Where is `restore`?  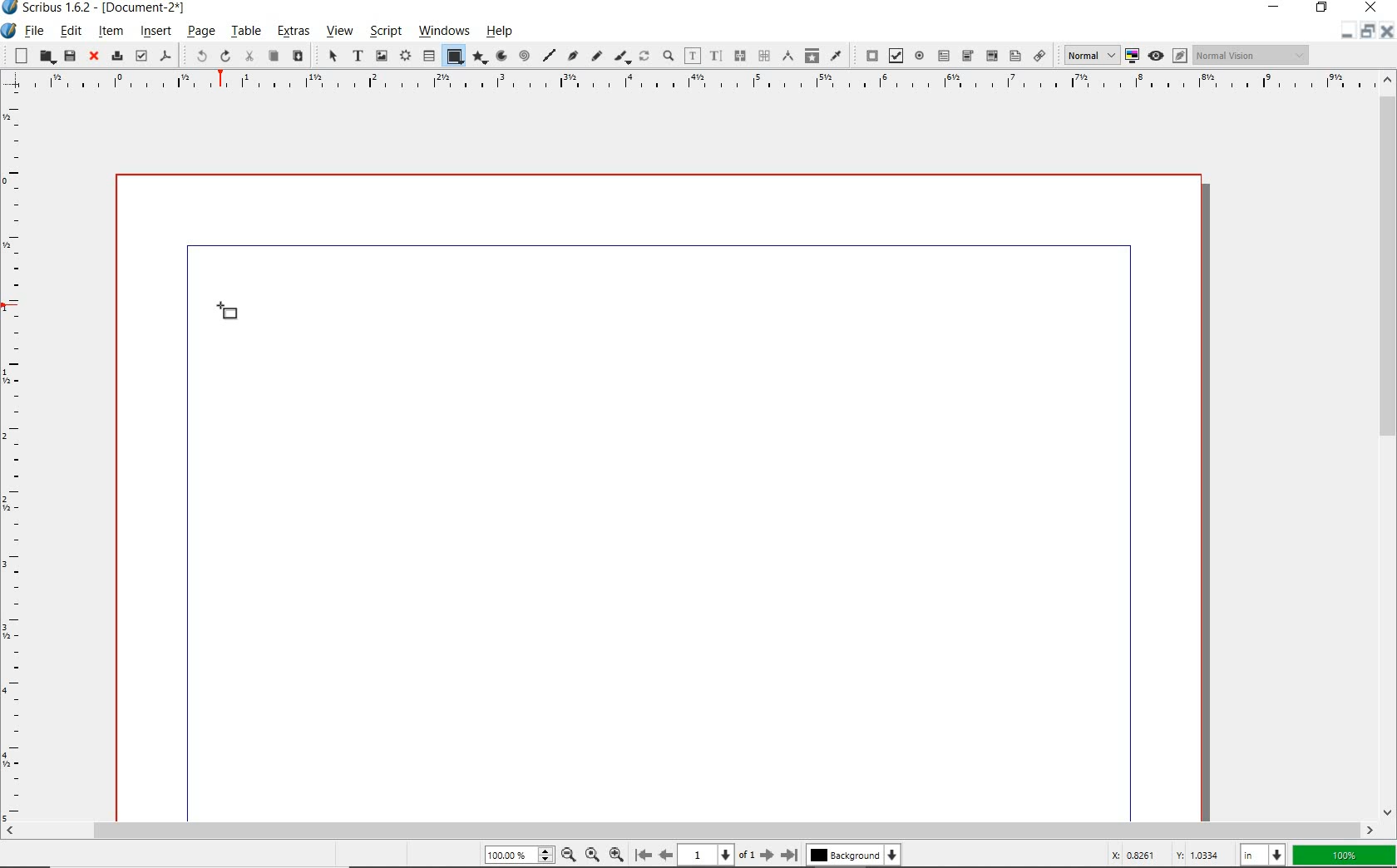
restore is located at coordinates (1368, 35).